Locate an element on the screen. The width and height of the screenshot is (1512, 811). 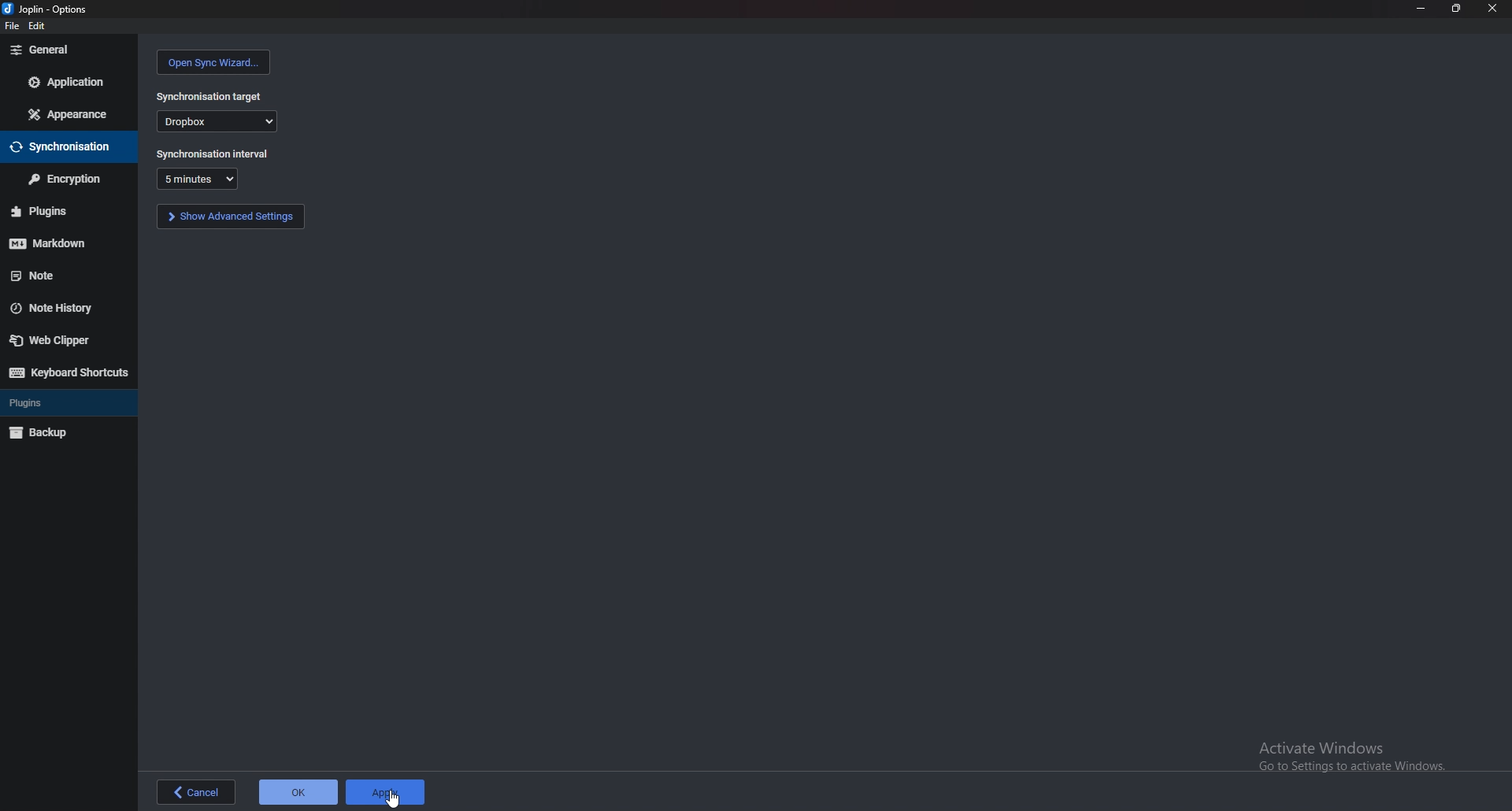
close is located at coordinates (1492, 9).